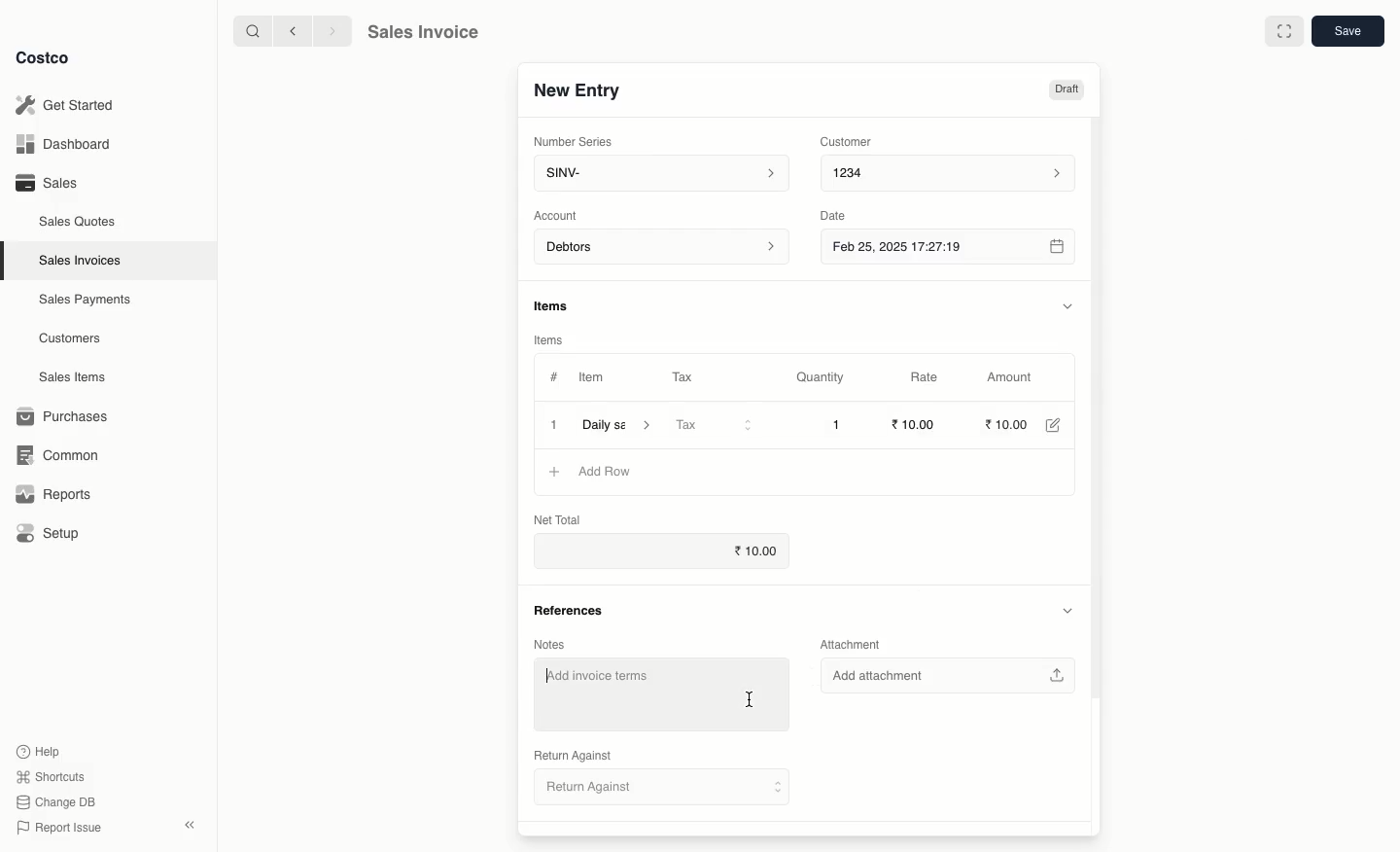 This screenshot has width=1400, height=852. Describe the element at coordinates (42, 751) in the screenshot. I see `Help` at that location.